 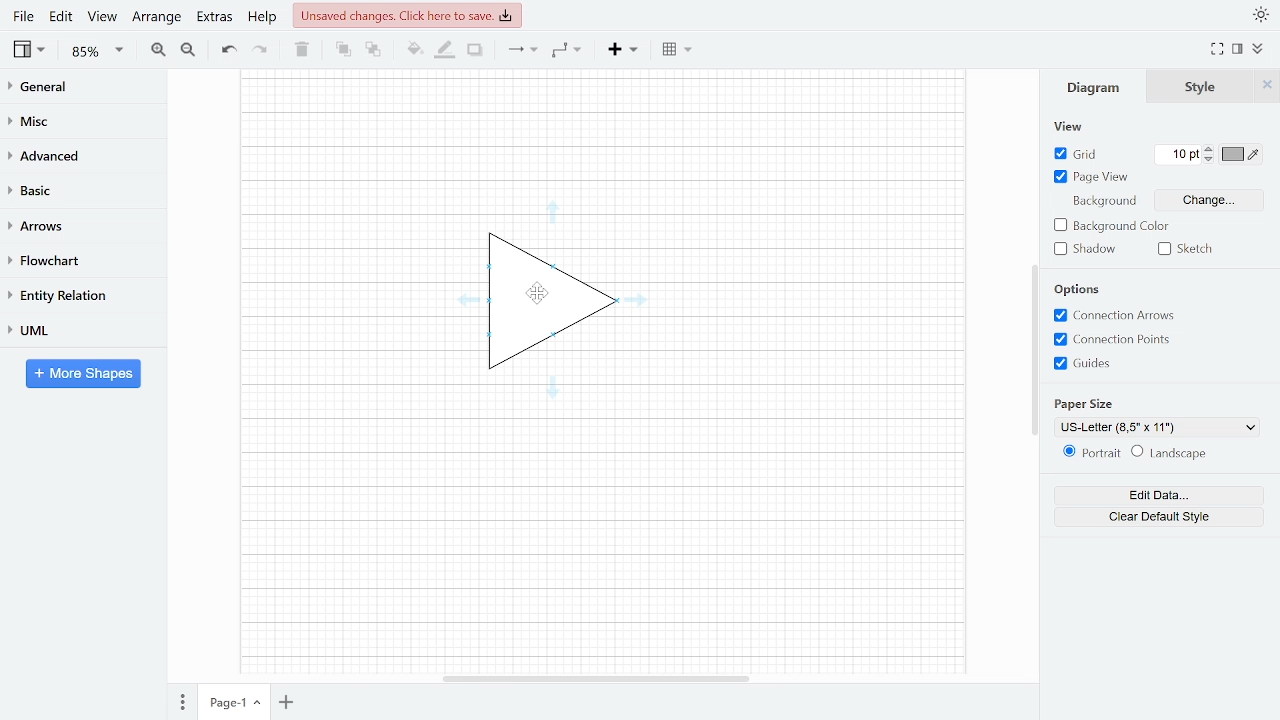 I want to click on Arrows, so click(x=74, y=225).